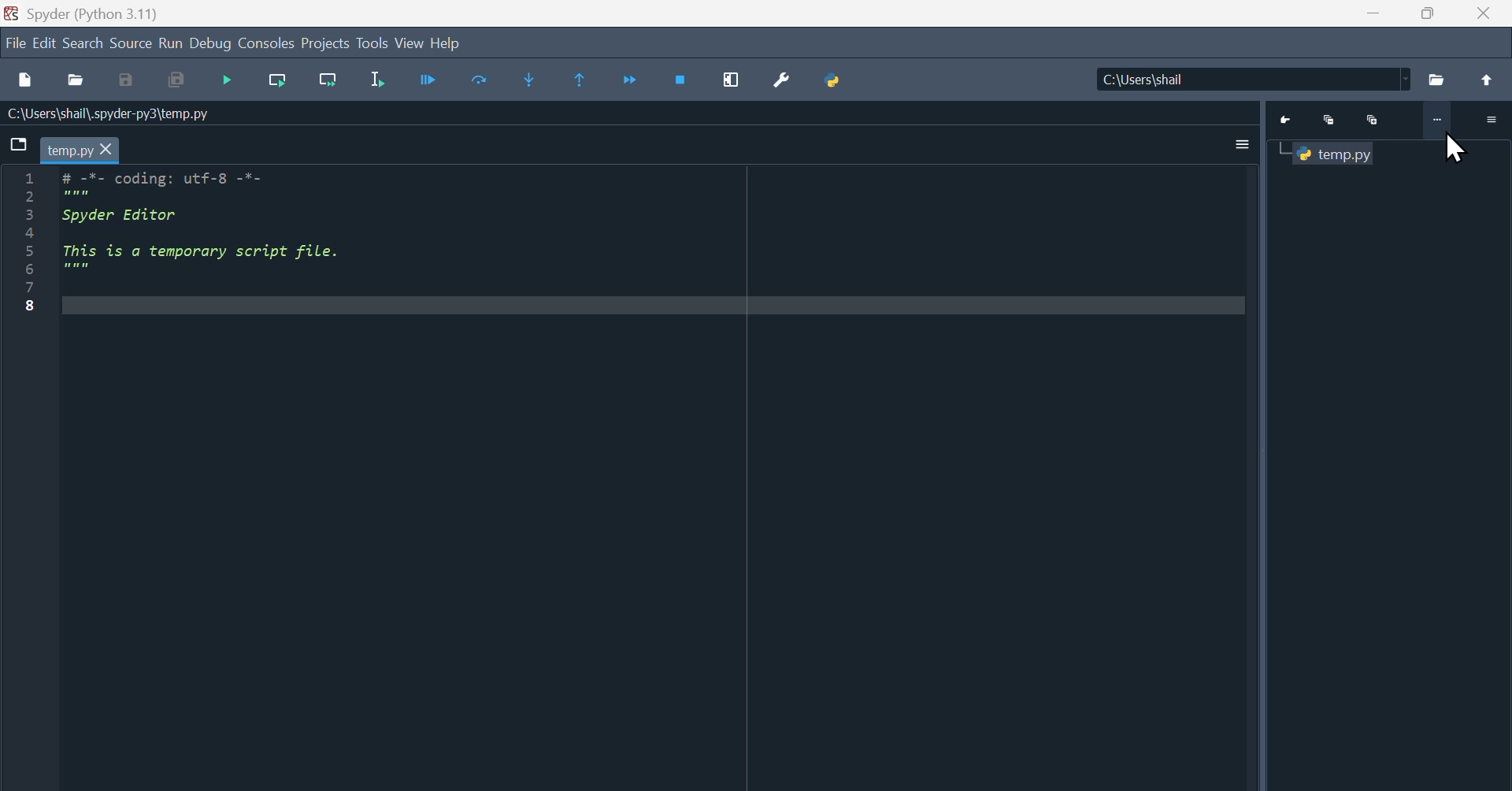 The image size is (1512, 791). Describe the element at coordinates (45, 45) in the screenshot. I see `Edit` at that location.